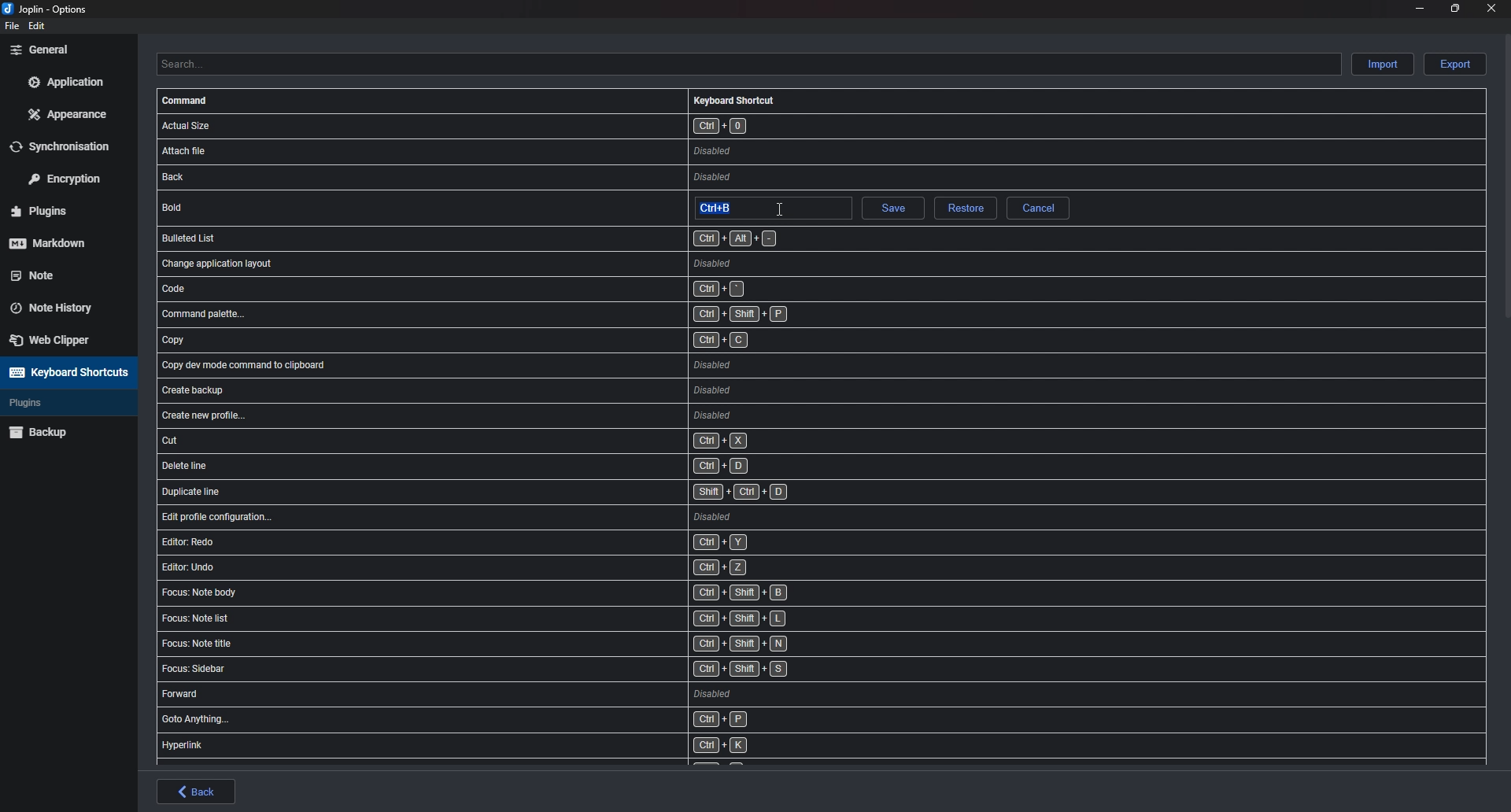 Image resolution: width=1511 pixels, height=812 pixels. I want to click on shortcut, so click(536, 390).